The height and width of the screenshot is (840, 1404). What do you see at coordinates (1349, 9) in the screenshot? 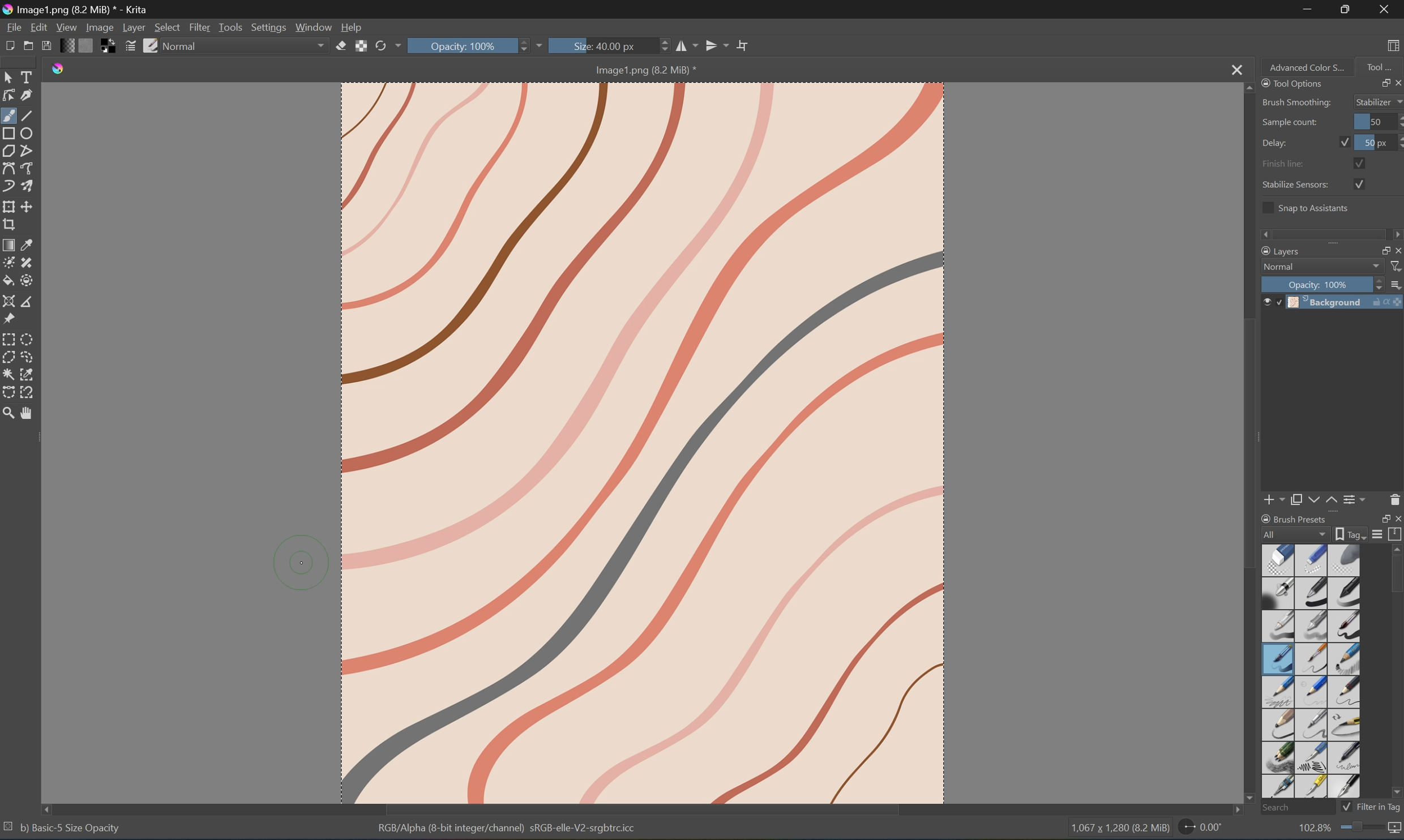
I see `Restore Down` at bounding box center [1349, 9].